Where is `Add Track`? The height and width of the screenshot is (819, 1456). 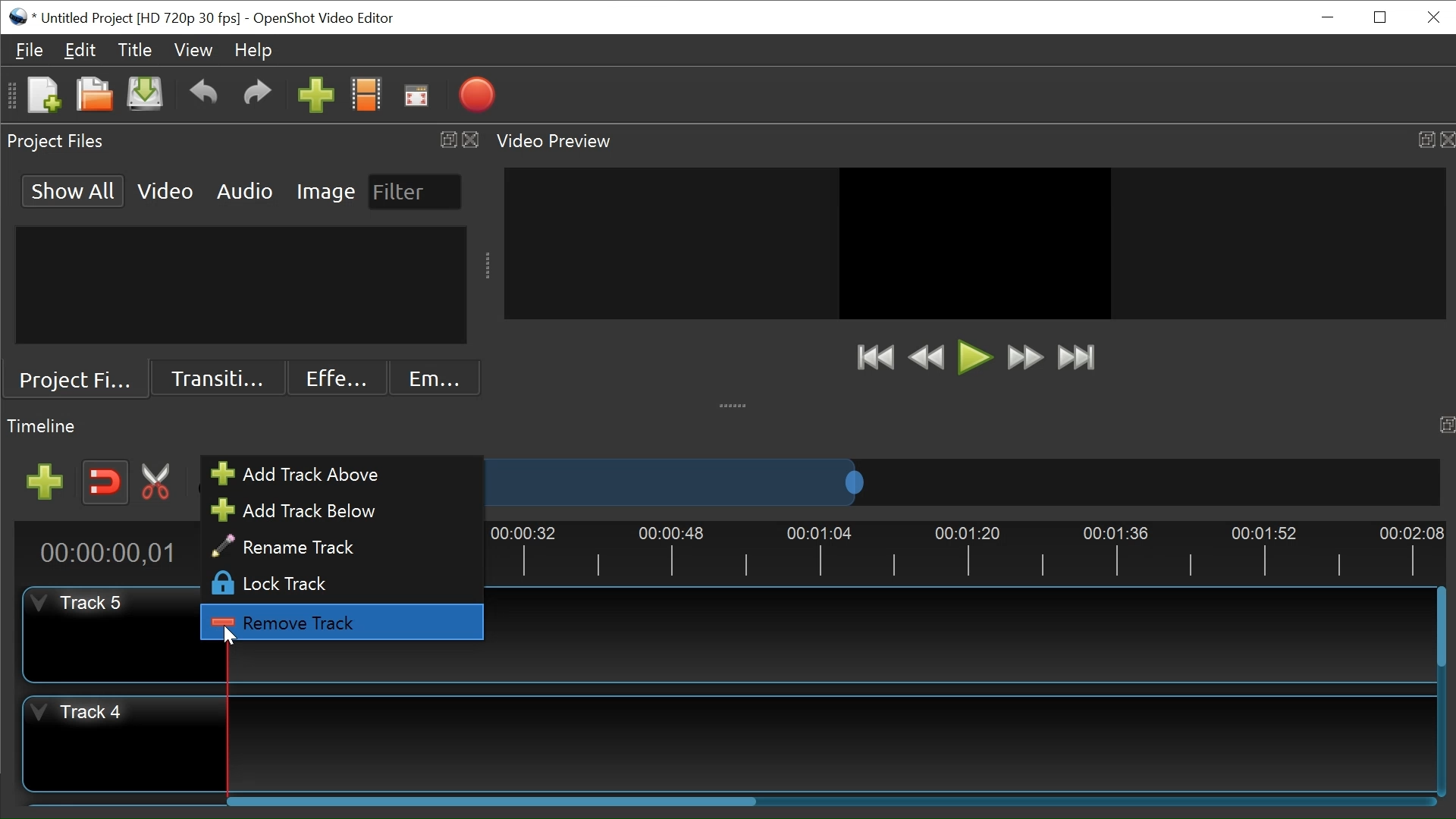
Add Track is located at coordinates (48, 482).